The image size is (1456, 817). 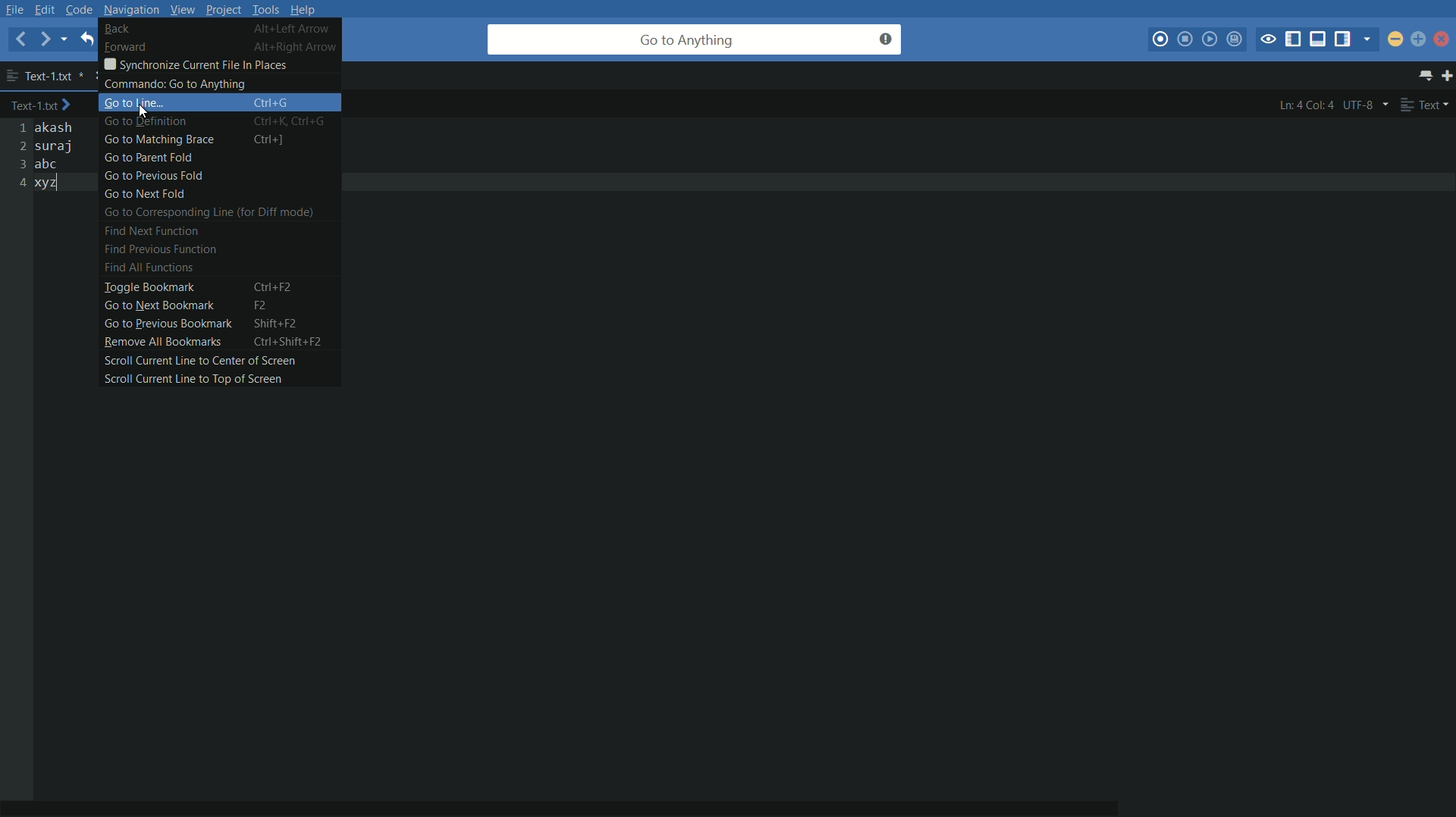 I want to click on help , so click(x=308, y=9).